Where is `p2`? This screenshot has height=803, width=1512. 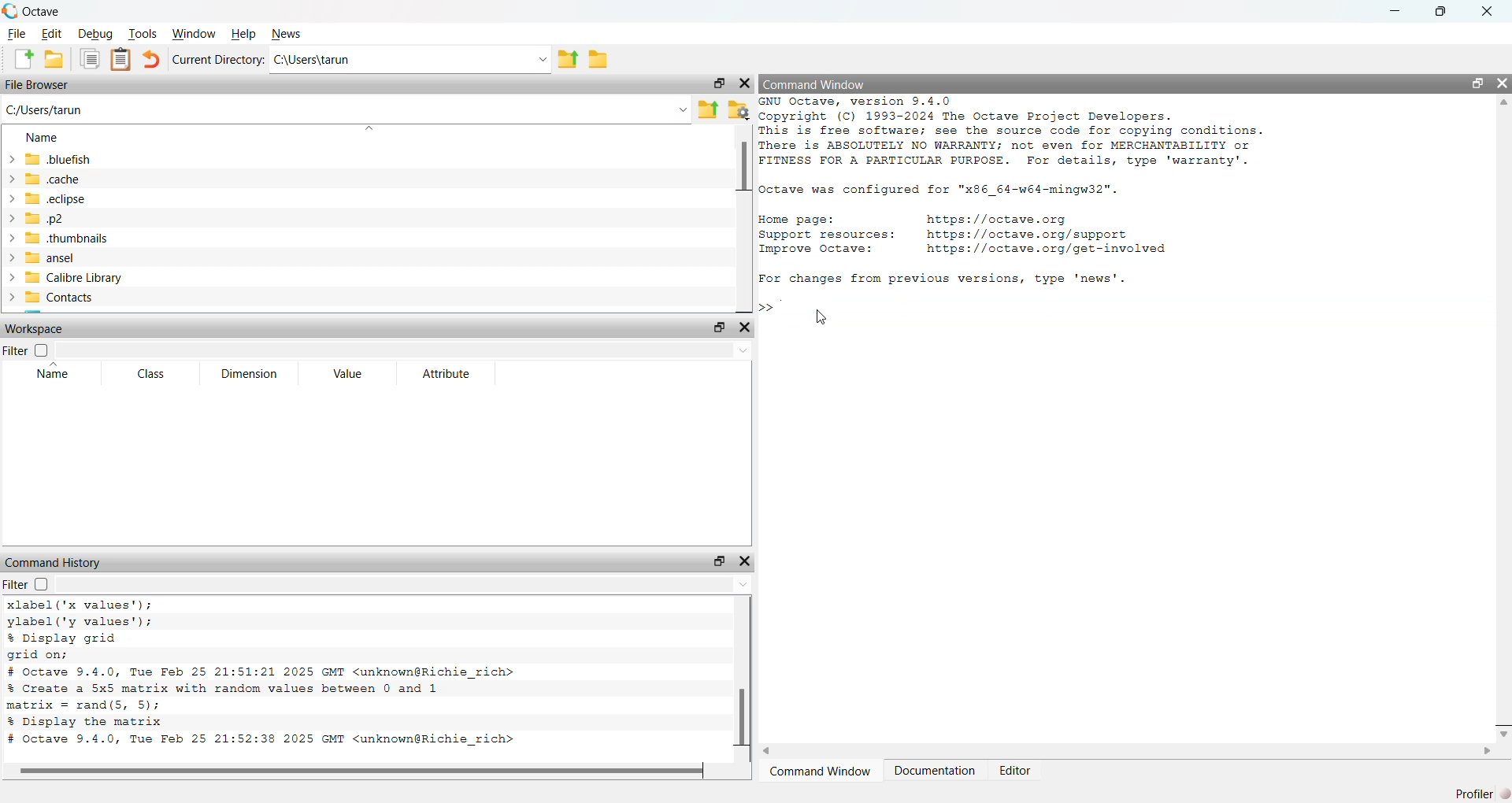
p2 is located at coordinates (46, 219).